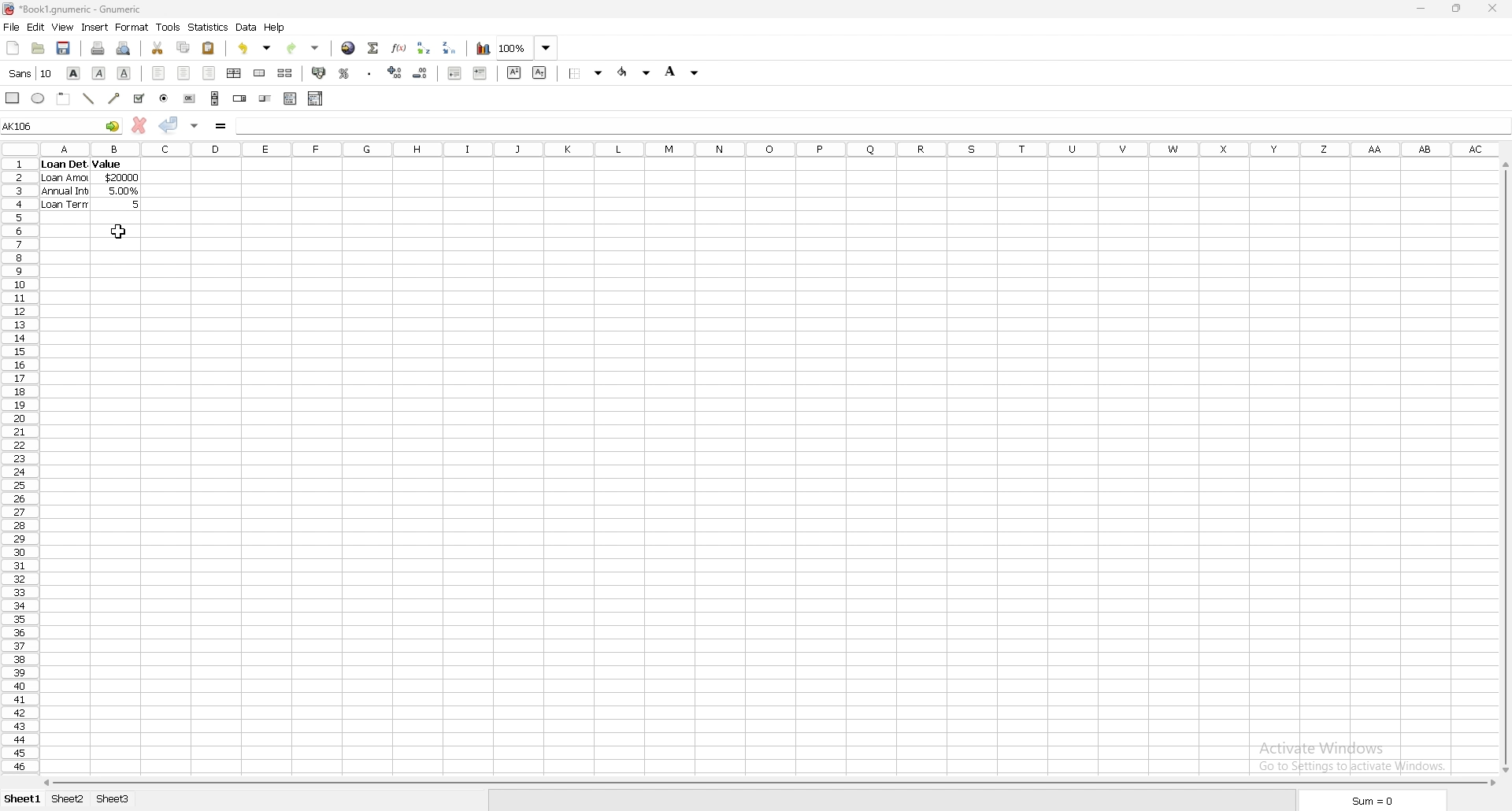  I want to click on thousand separator, so click(370, 72).